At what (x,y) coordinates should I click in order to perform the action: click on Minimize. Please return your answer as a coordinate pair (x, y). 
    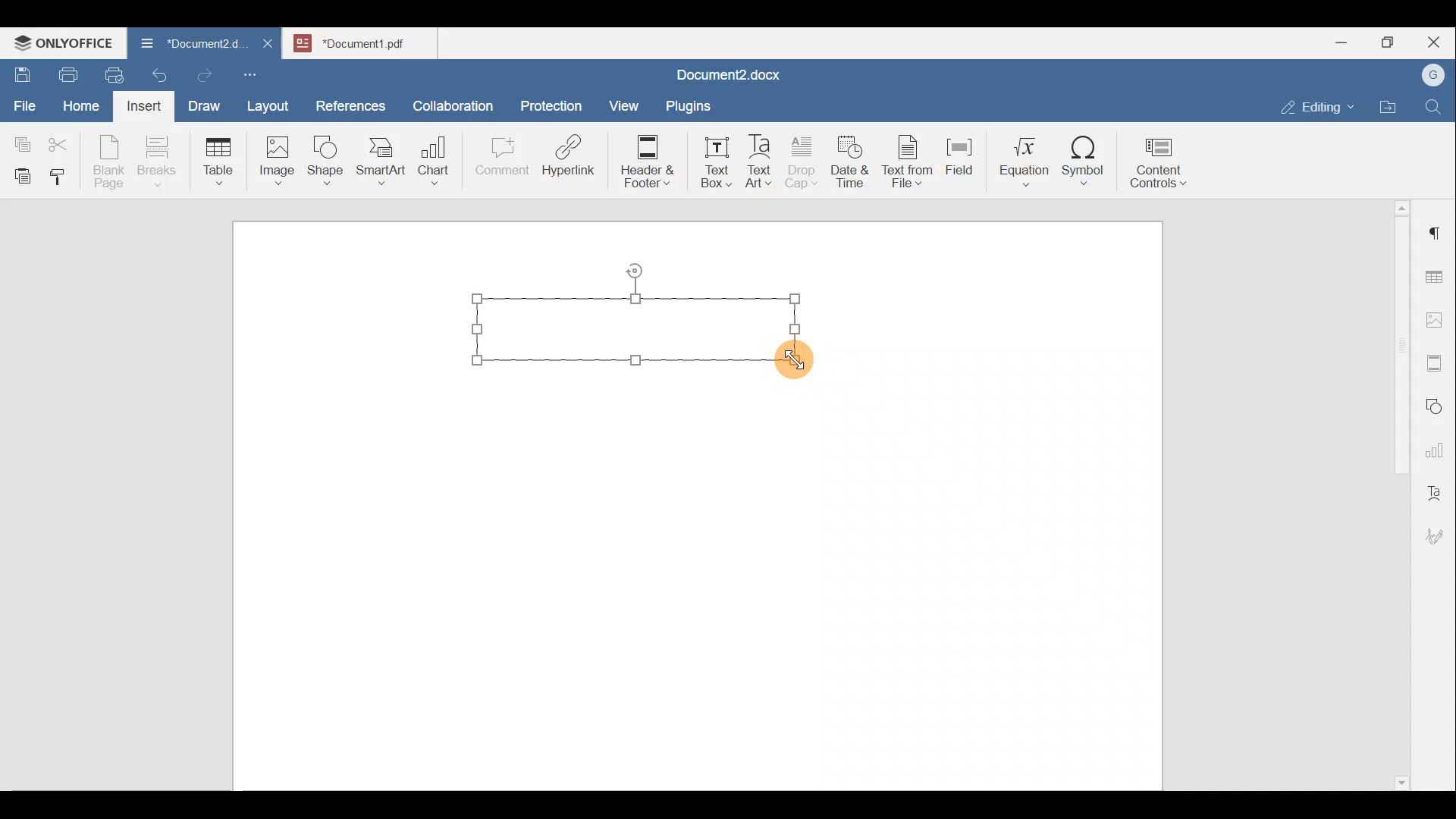
    Looking at the image, I should click on (1341, 41).